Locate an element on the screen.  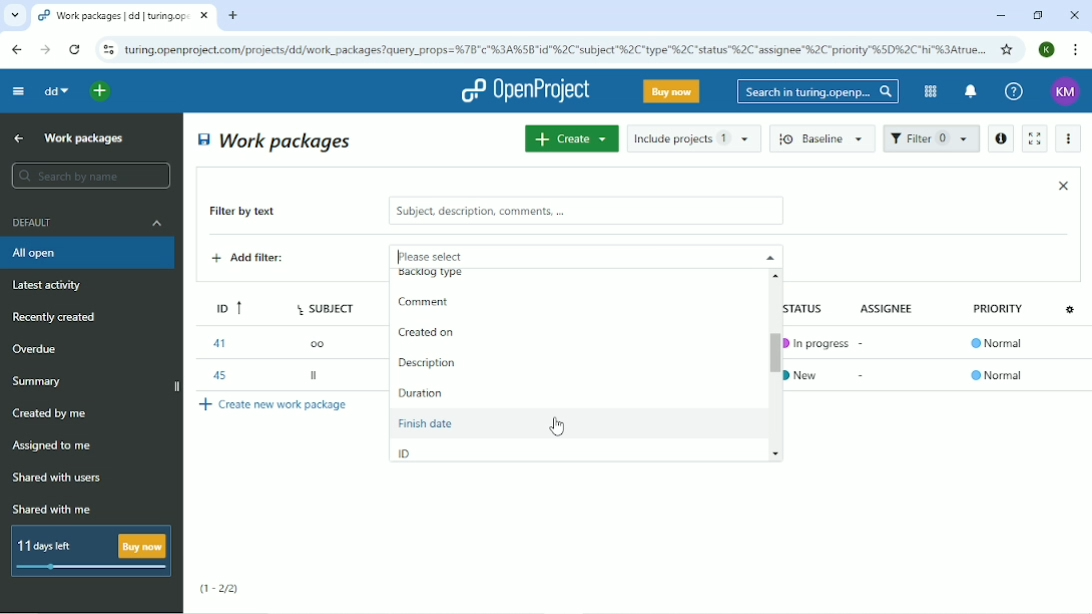
Normal is located at coordinates (997, 375).